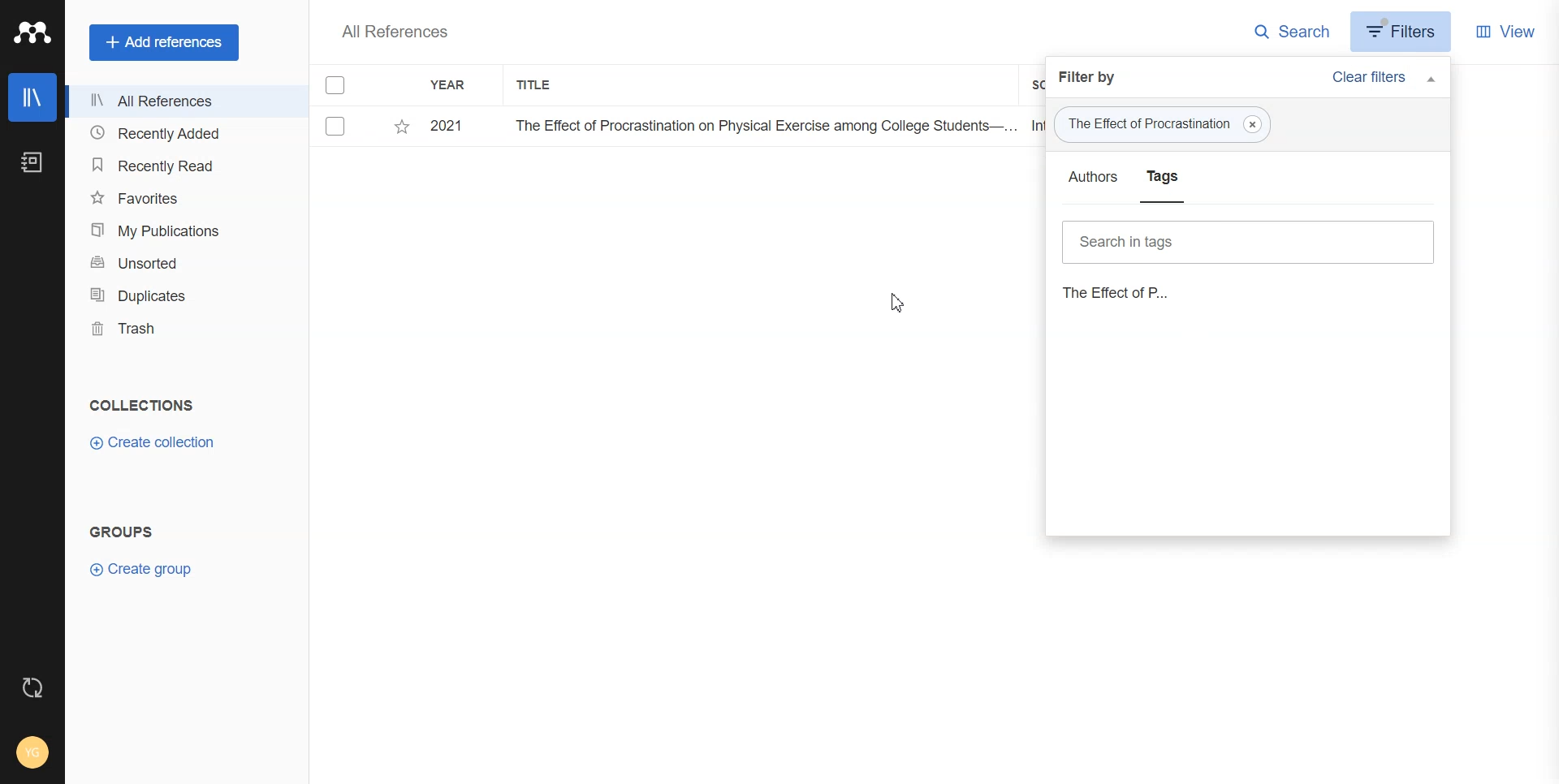  I want to click on All References, so click(174, 101).